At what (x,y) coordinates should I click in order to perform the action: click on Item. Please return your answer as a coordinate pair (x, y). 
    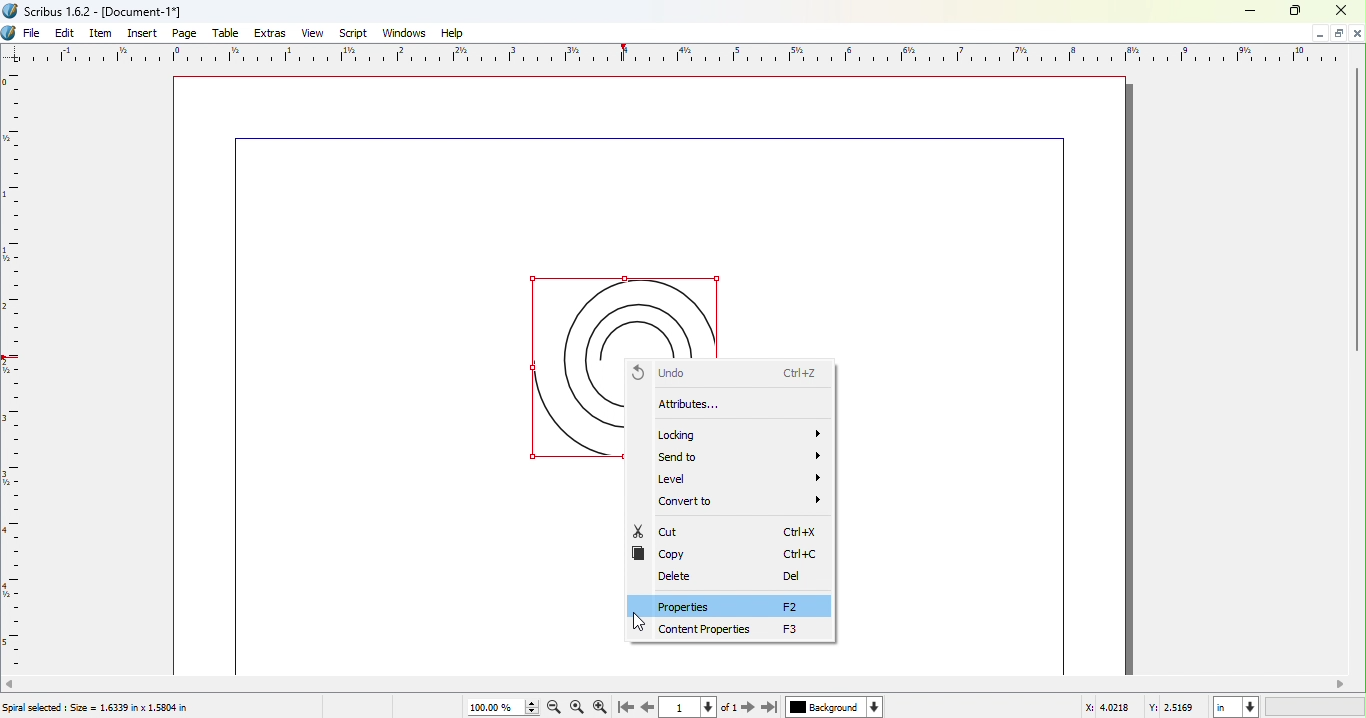
    Looking at the image, I should click on (101, 33).